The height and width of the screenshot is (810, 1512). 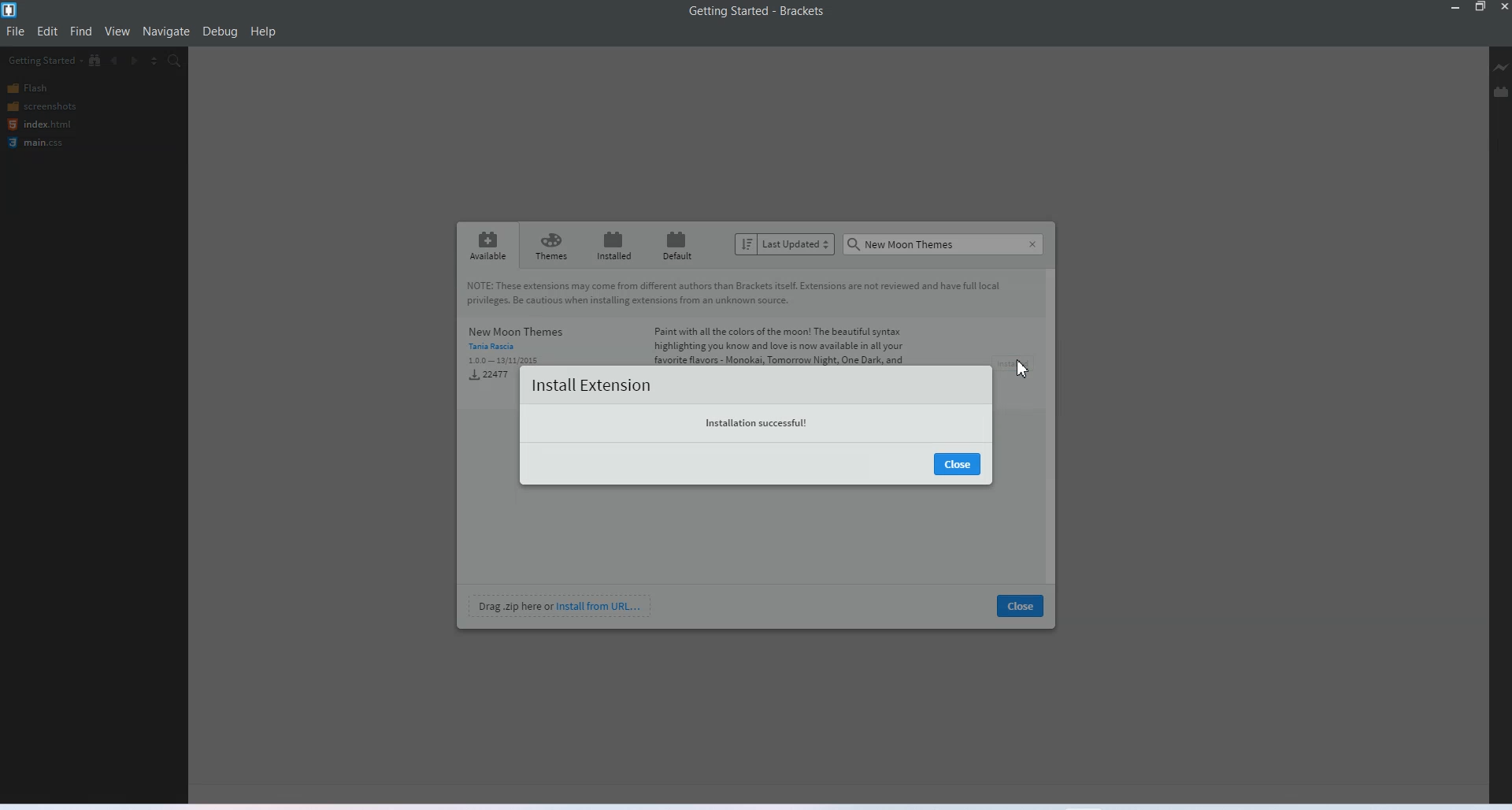 I want to click on Show in file tree, so click(x=96, y=60).